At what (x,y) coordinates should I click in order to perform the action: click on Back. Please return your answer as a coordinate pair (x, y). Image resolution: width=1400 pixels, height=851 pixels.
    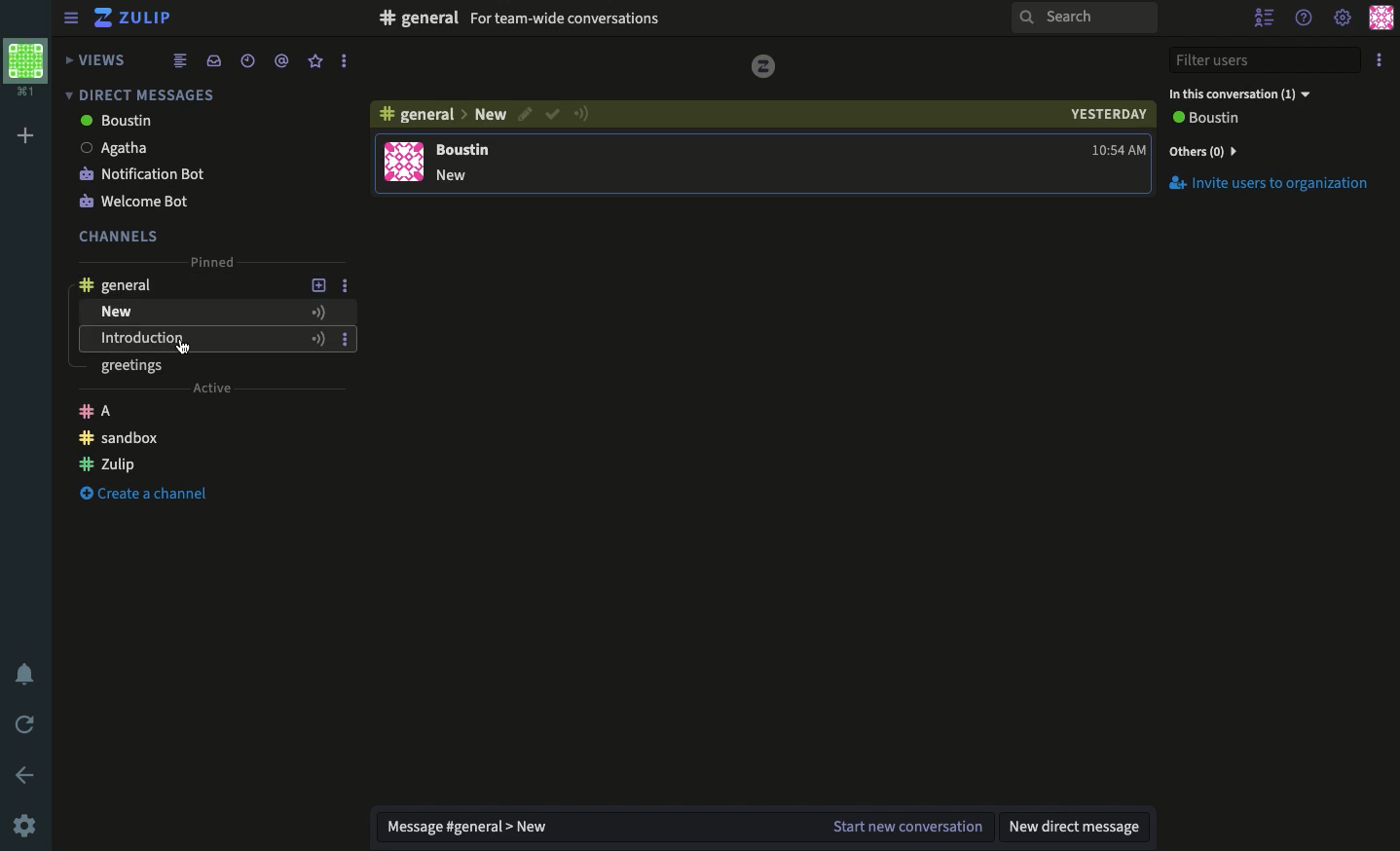
    Looking at the image, I should click on (27, 775).